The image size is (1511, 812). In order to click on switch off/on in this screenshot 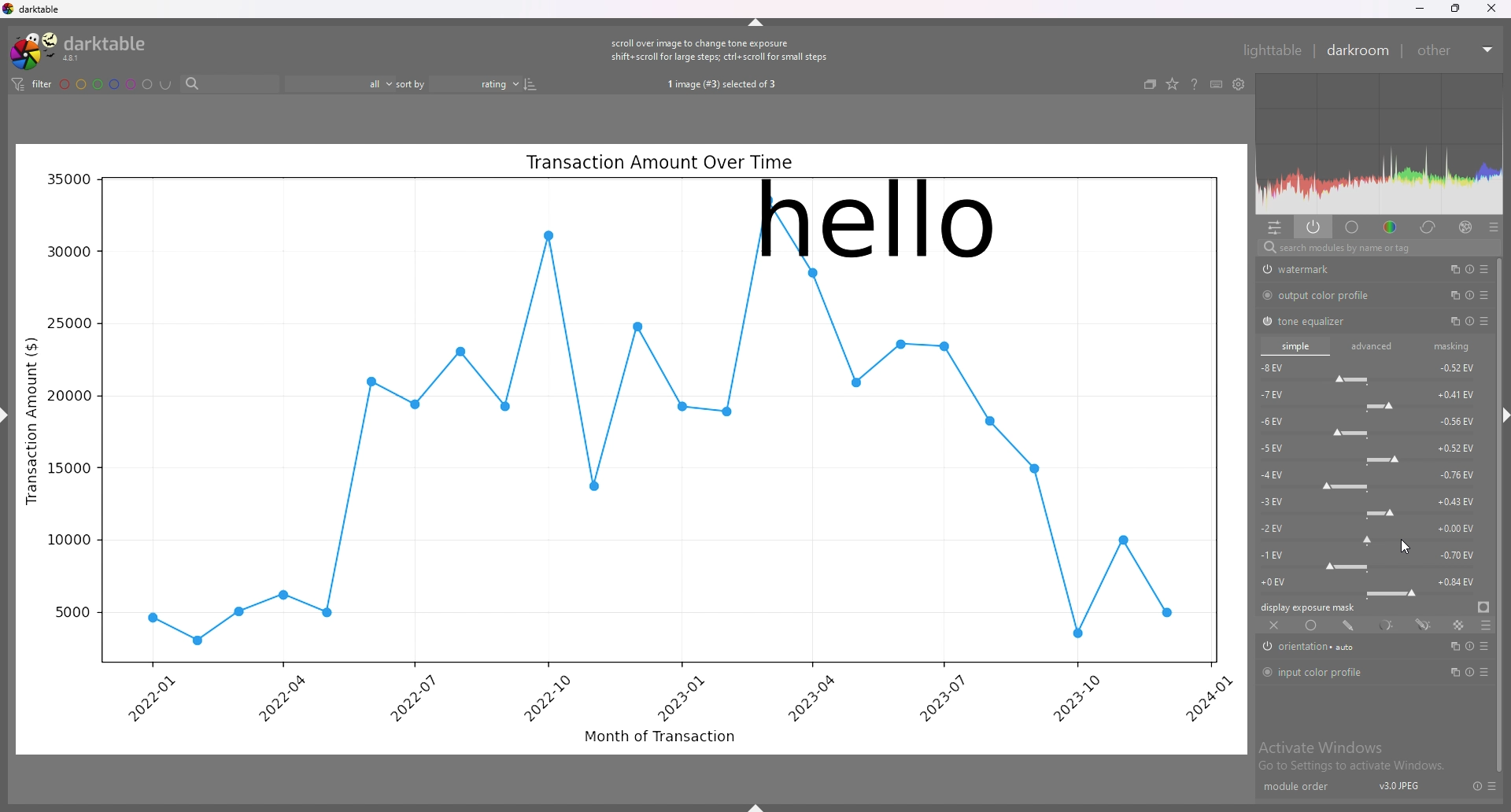, I will do `click(1266, 648)`.